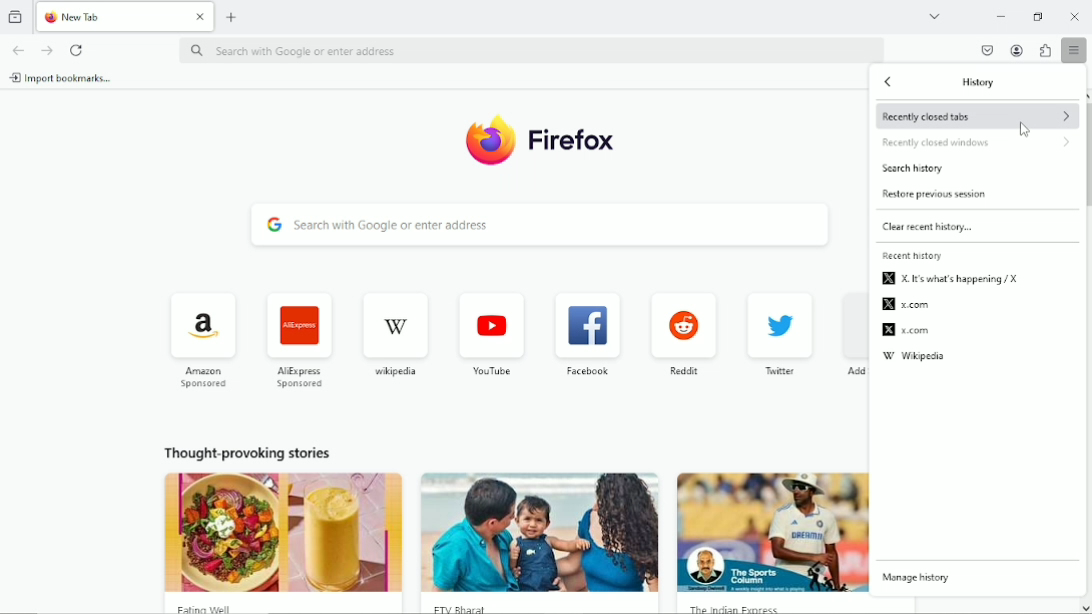 Image resolution: width=1092 pixels, height=614 pixels. What do you see at coordinates (893, 82) in the screenshot?
I see `back` at bounding box center [893, 82].